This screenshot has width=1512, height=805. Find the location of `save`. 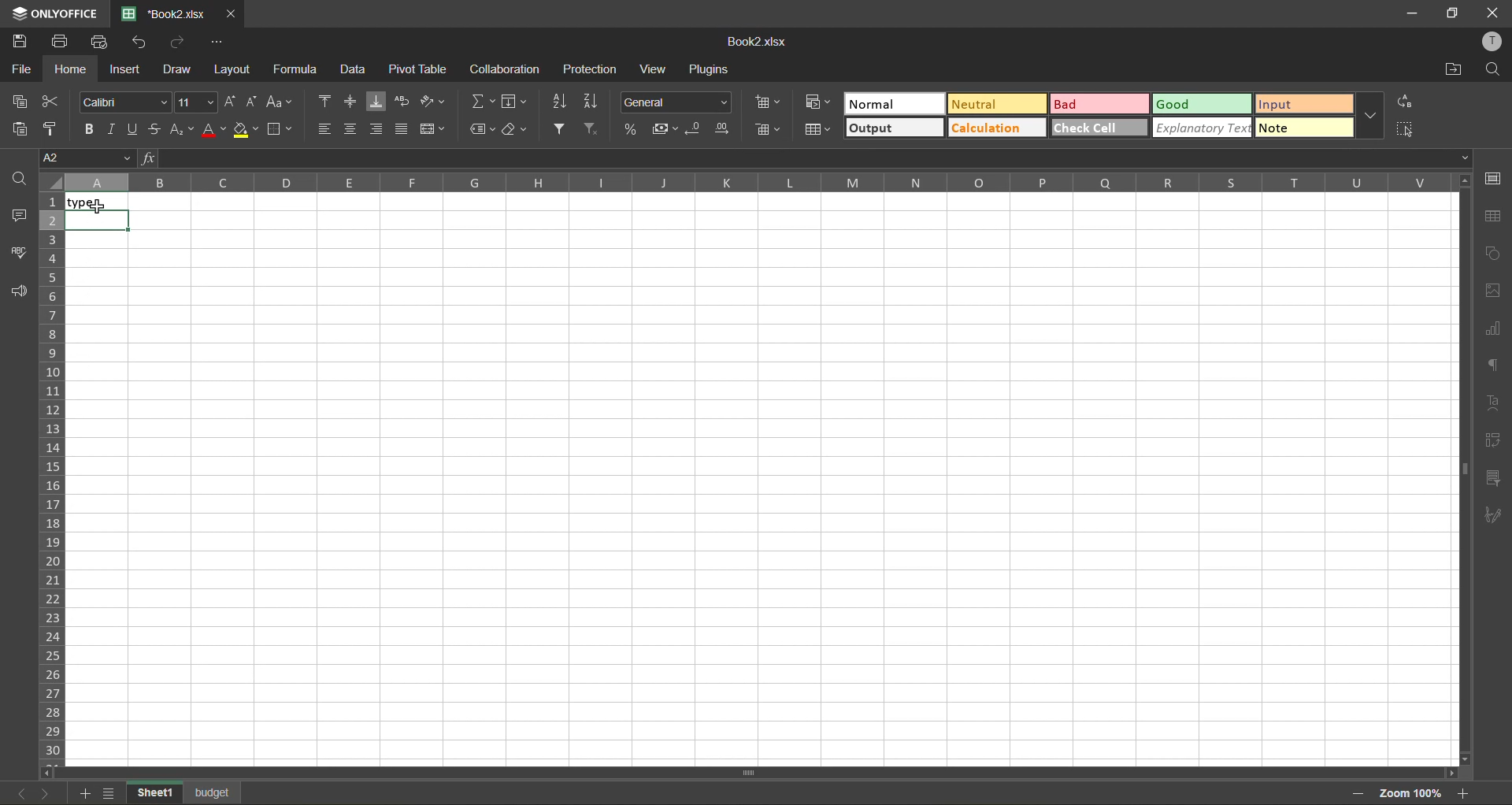

save is located at coordinates (20, 42).